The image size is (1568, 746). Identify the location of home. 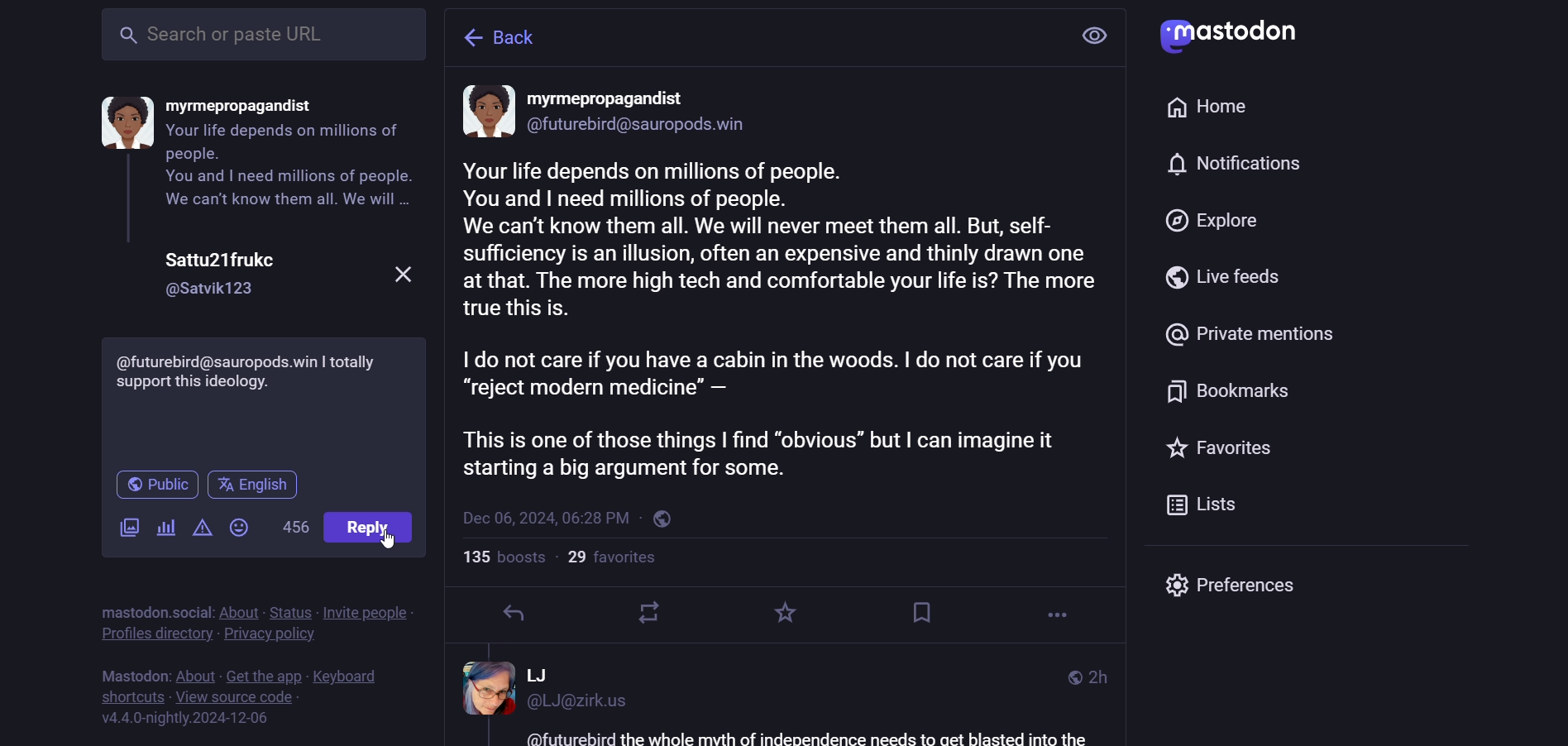
(1217, 108).